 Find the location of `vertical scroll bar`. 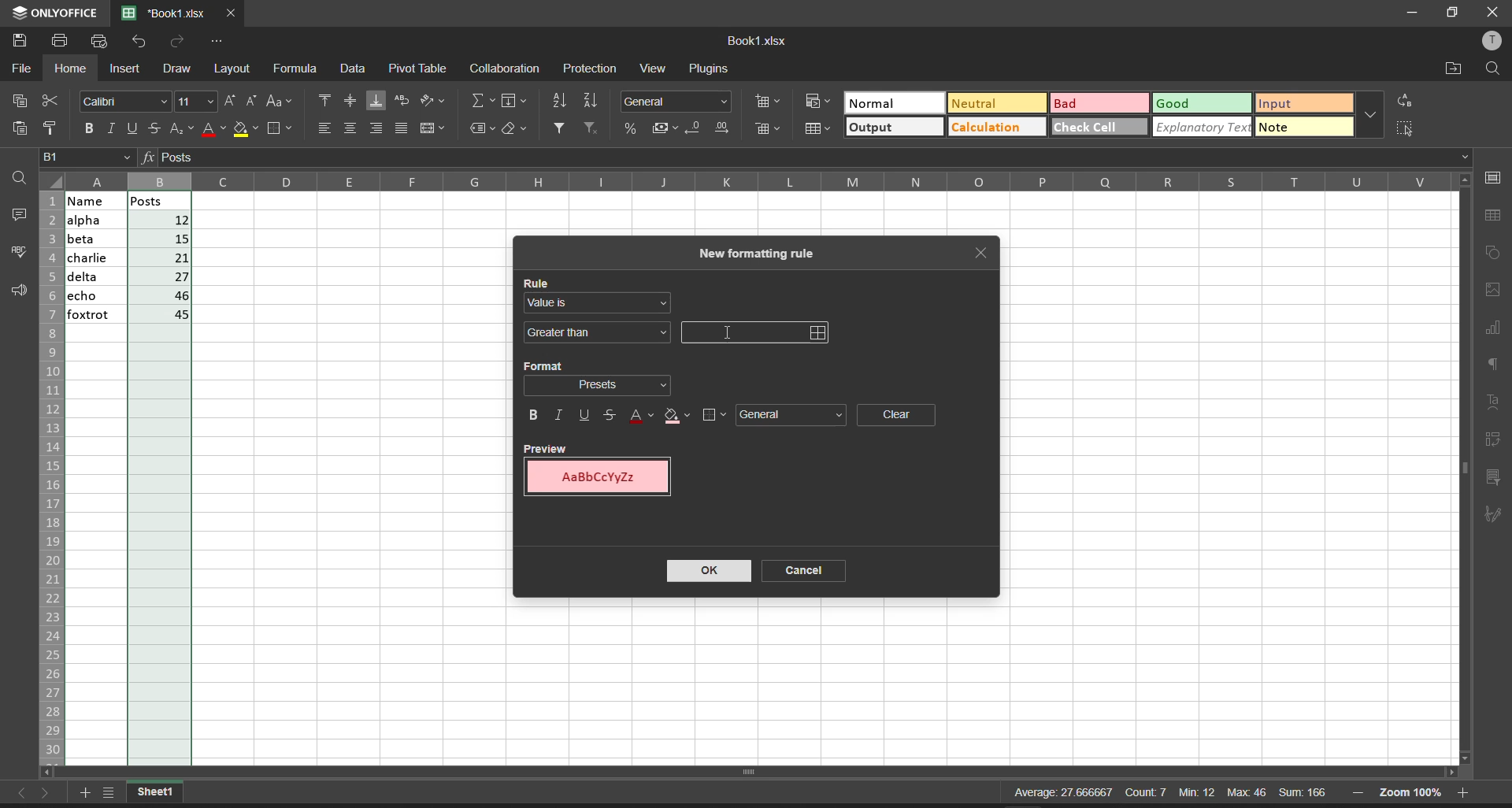

vertical scroll bar is located at coordinates (1466, 454).